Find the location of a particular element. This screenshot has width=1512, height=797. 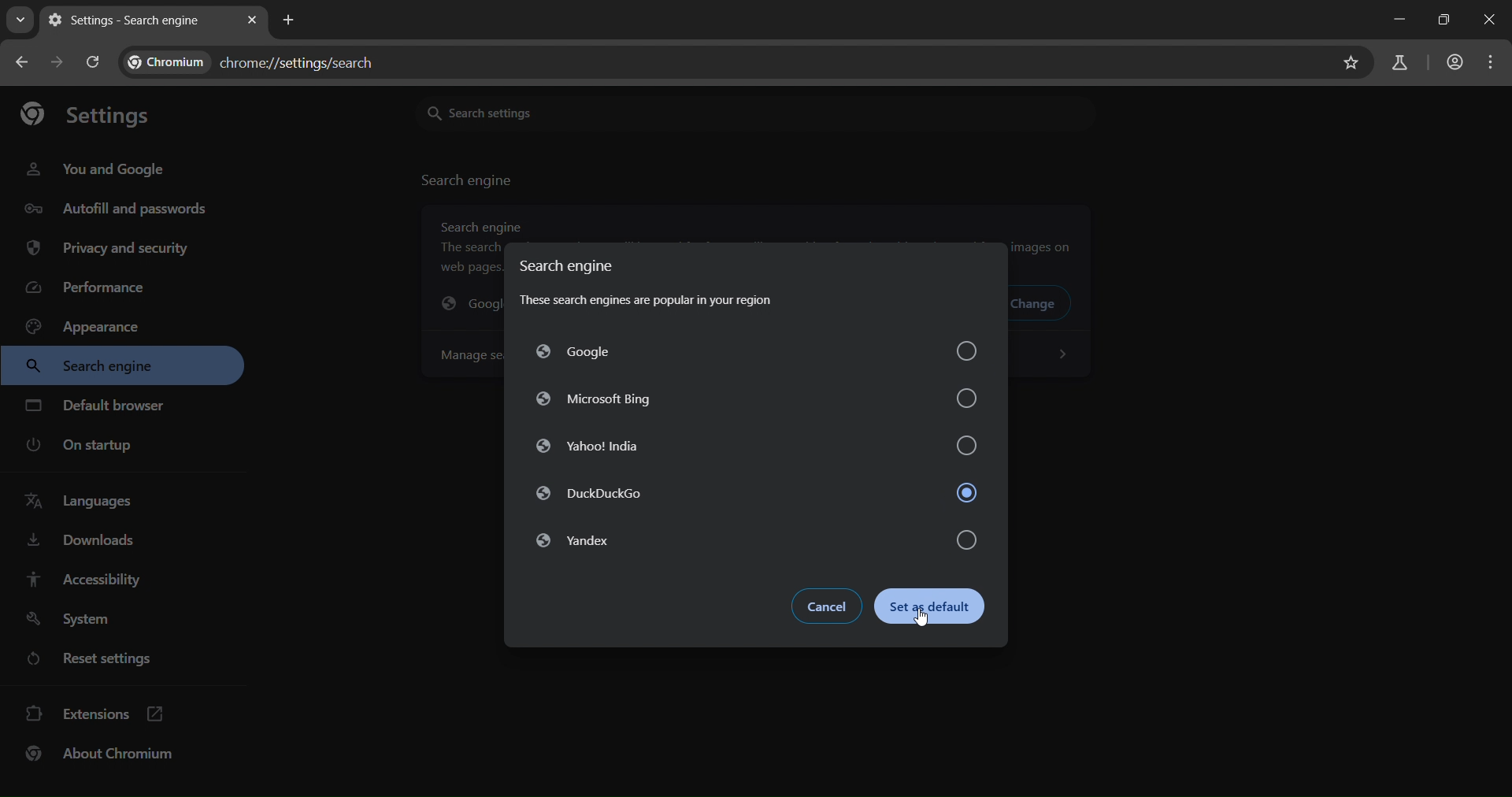

cancel is located at coordinates (830, 607).